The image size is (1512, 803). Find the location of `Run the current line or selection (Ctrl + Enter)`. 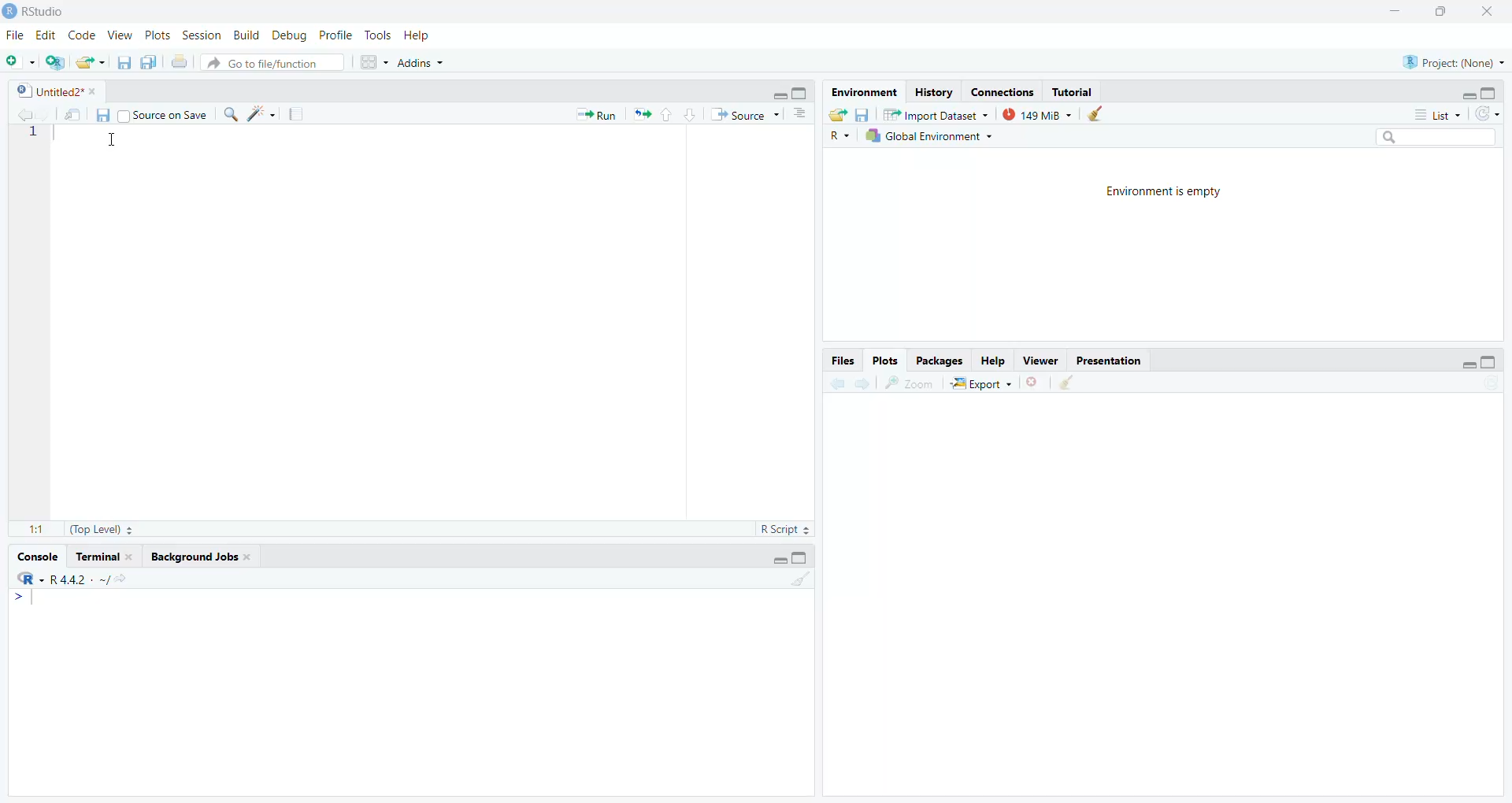

Run the current line or selection (Ctrl + Enter) is located at coordinates (598, 113).